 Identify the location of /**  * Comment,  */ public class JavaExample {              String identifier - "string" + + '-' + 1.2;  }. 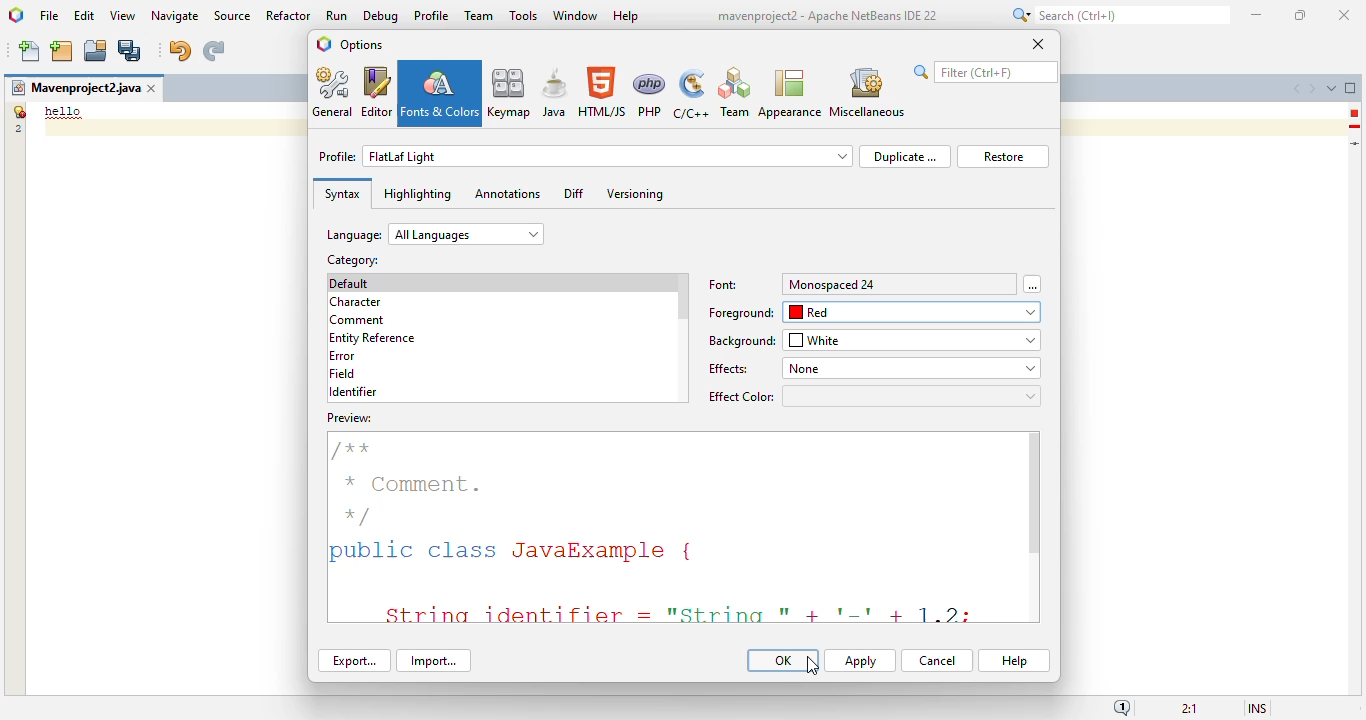
(667, 528).